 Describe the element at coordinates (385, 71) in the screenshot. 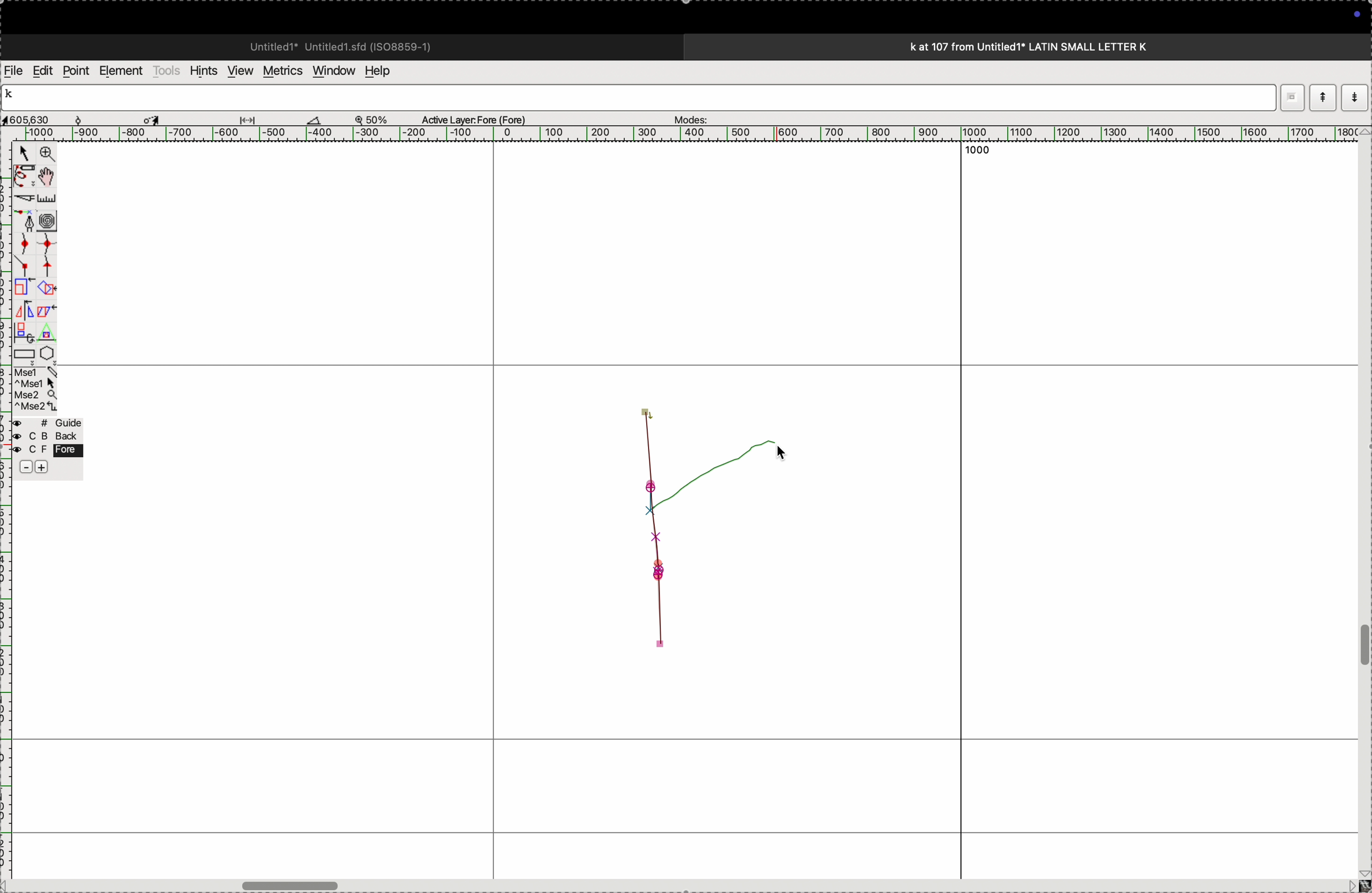

I see `help` at that location.